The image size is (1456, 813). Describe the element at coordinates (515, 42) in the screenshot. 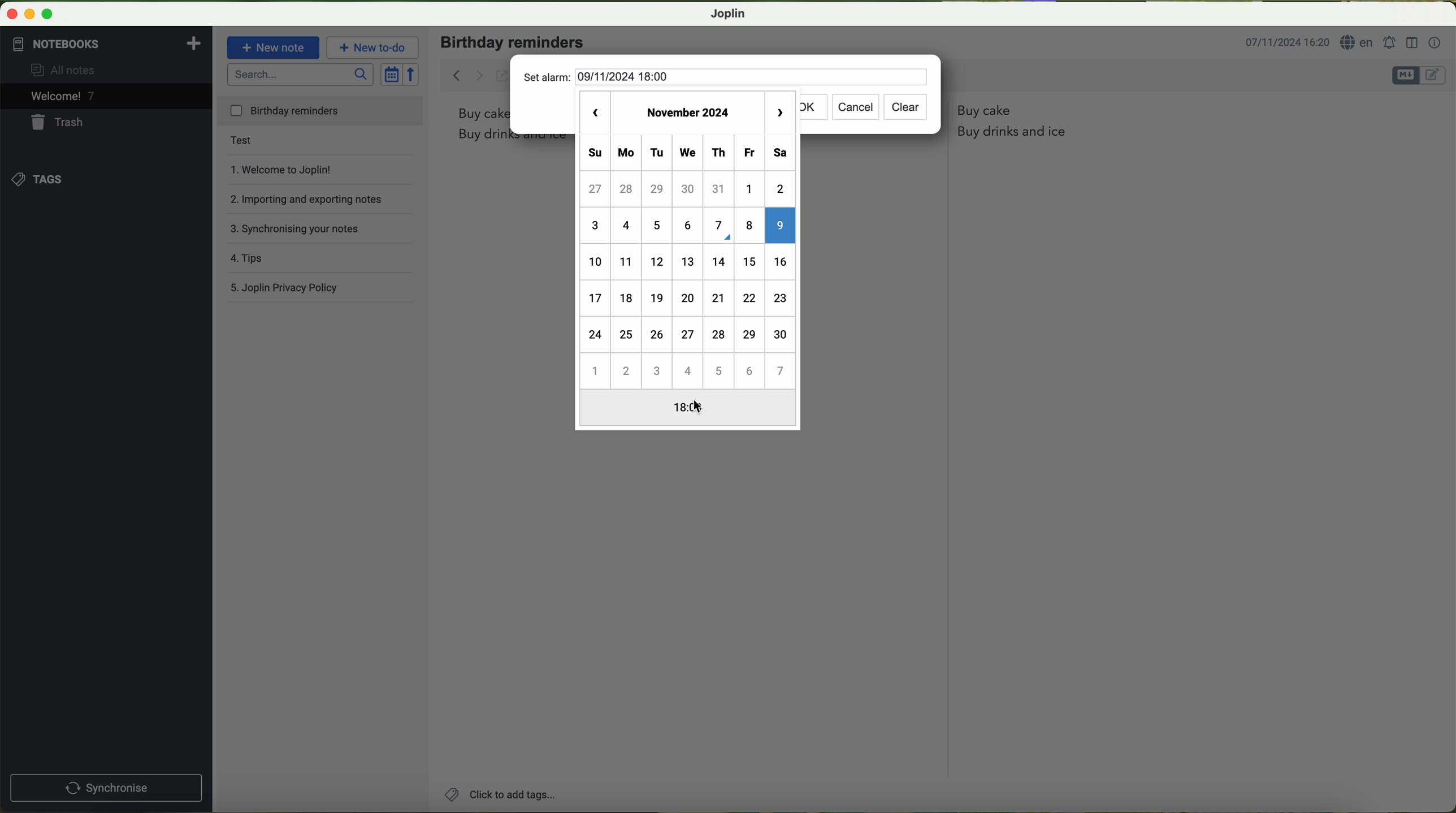

I see `birthday reminders` at that location.